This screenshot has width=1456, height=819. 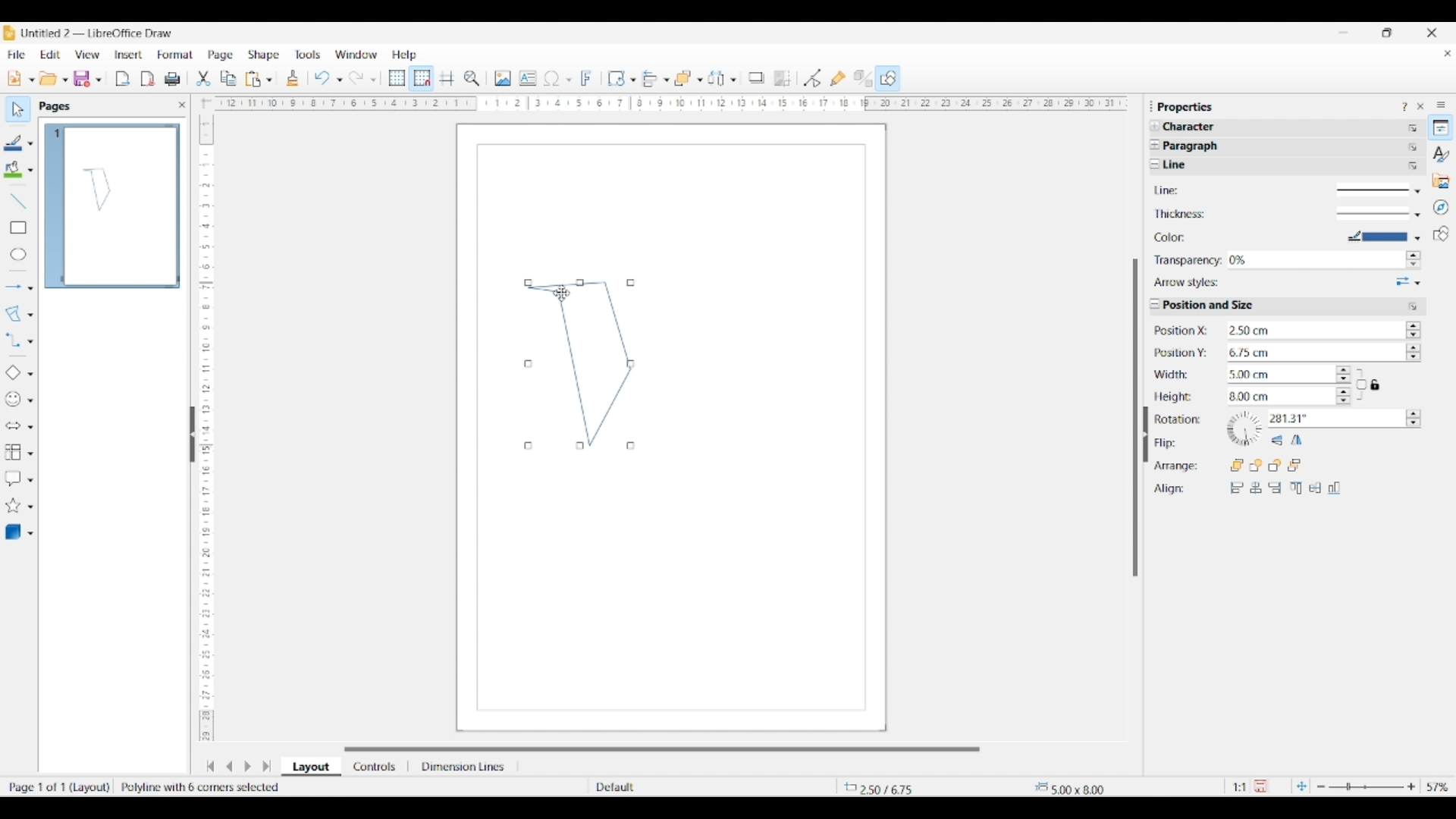 I want to click on Selected alignment, so click(x=650, y=77).